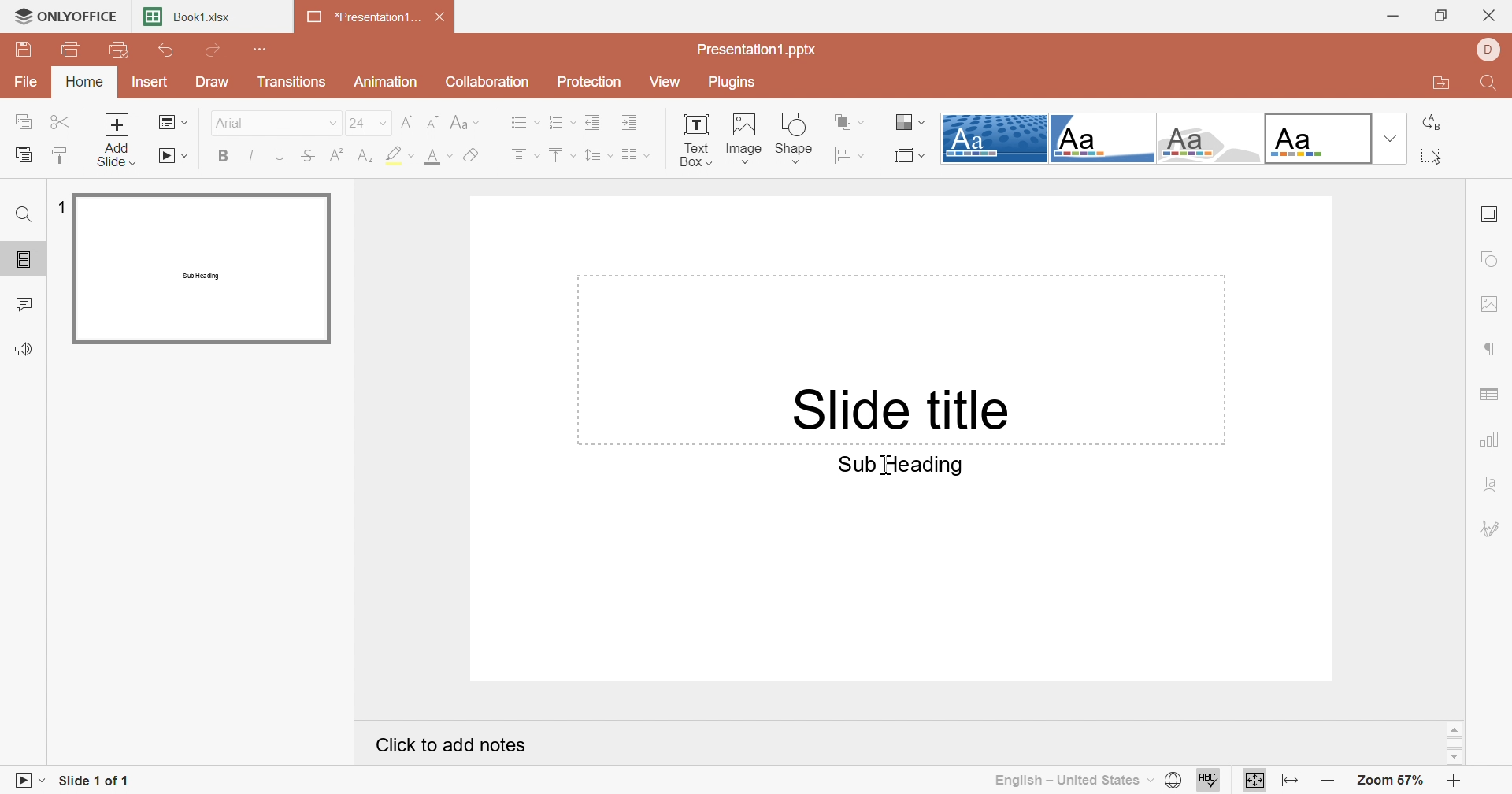  Describe the element at coordinates (1317, 137) in the screenshot. I see `Official` at that location.